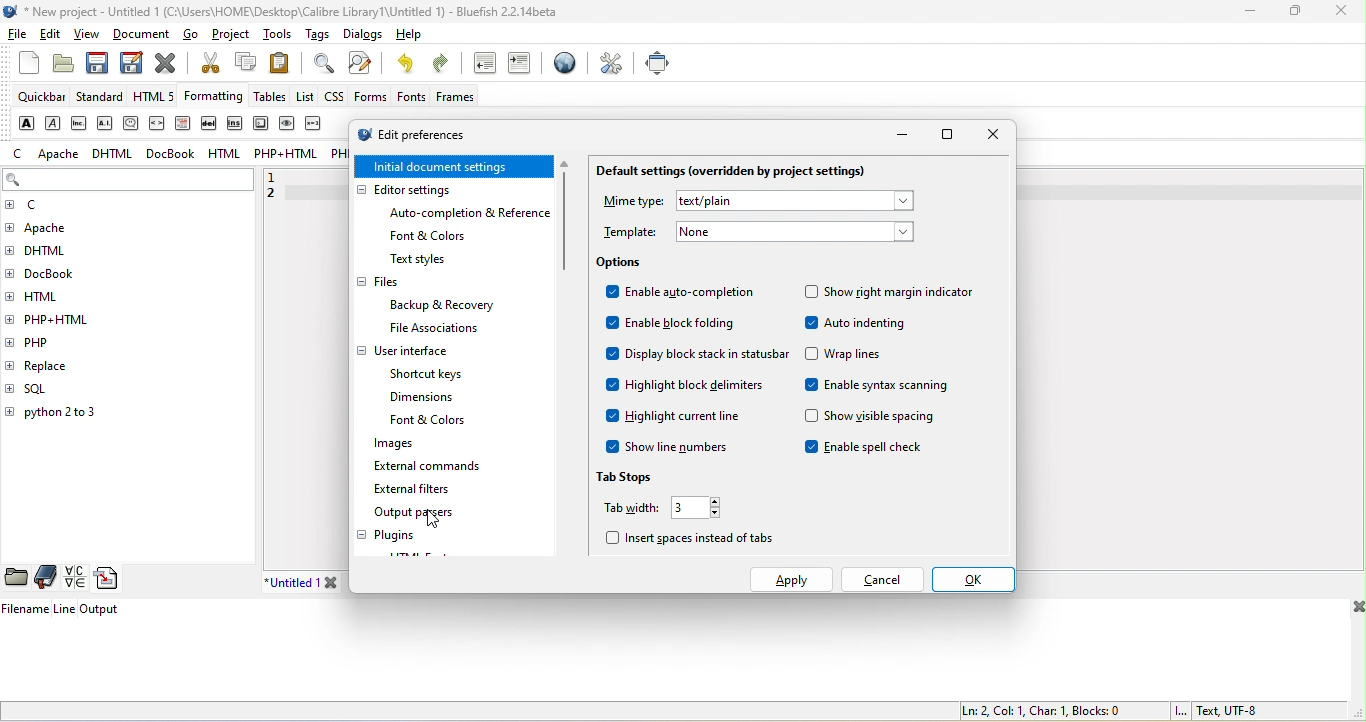 The image size is (1366, 722). I want to click on find, so click(320, 63).